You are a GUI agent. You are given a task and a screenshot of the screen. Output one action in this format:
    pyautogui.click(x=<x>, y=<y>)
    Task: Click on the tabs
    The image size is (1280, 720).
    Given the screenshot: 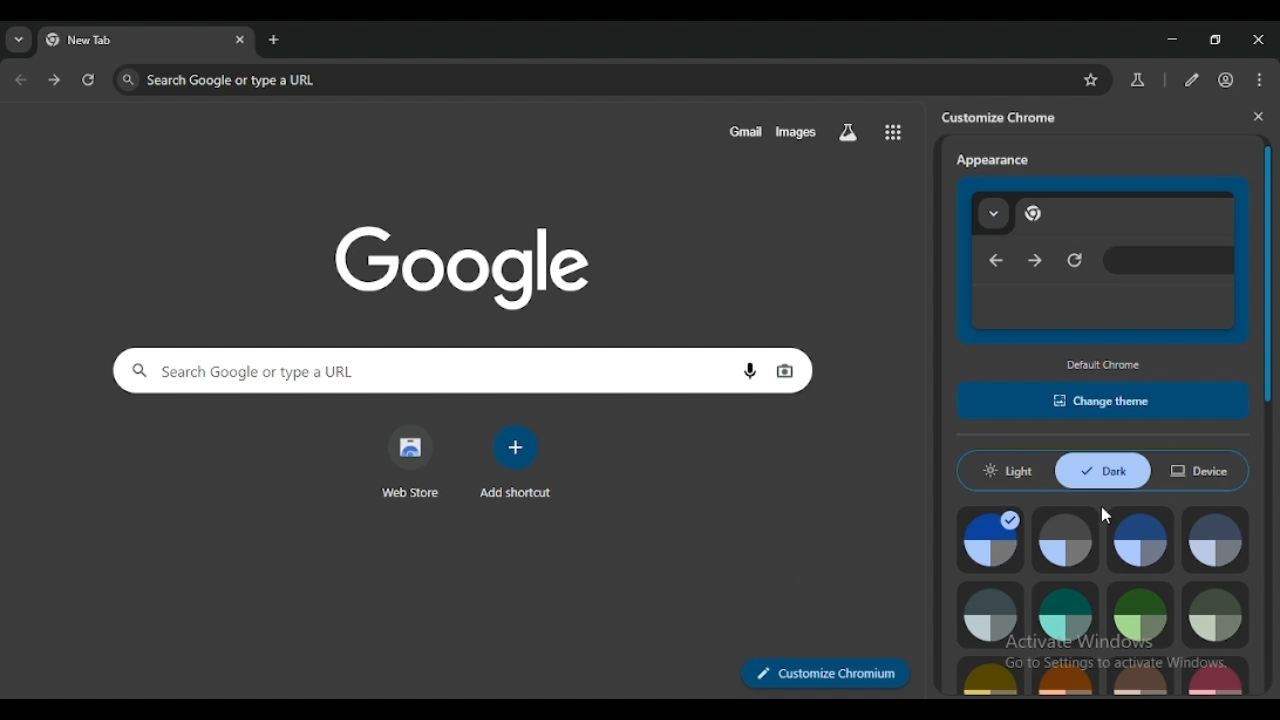 What is the action you would take?
    pyautogui.click(x=987, y=215)
    